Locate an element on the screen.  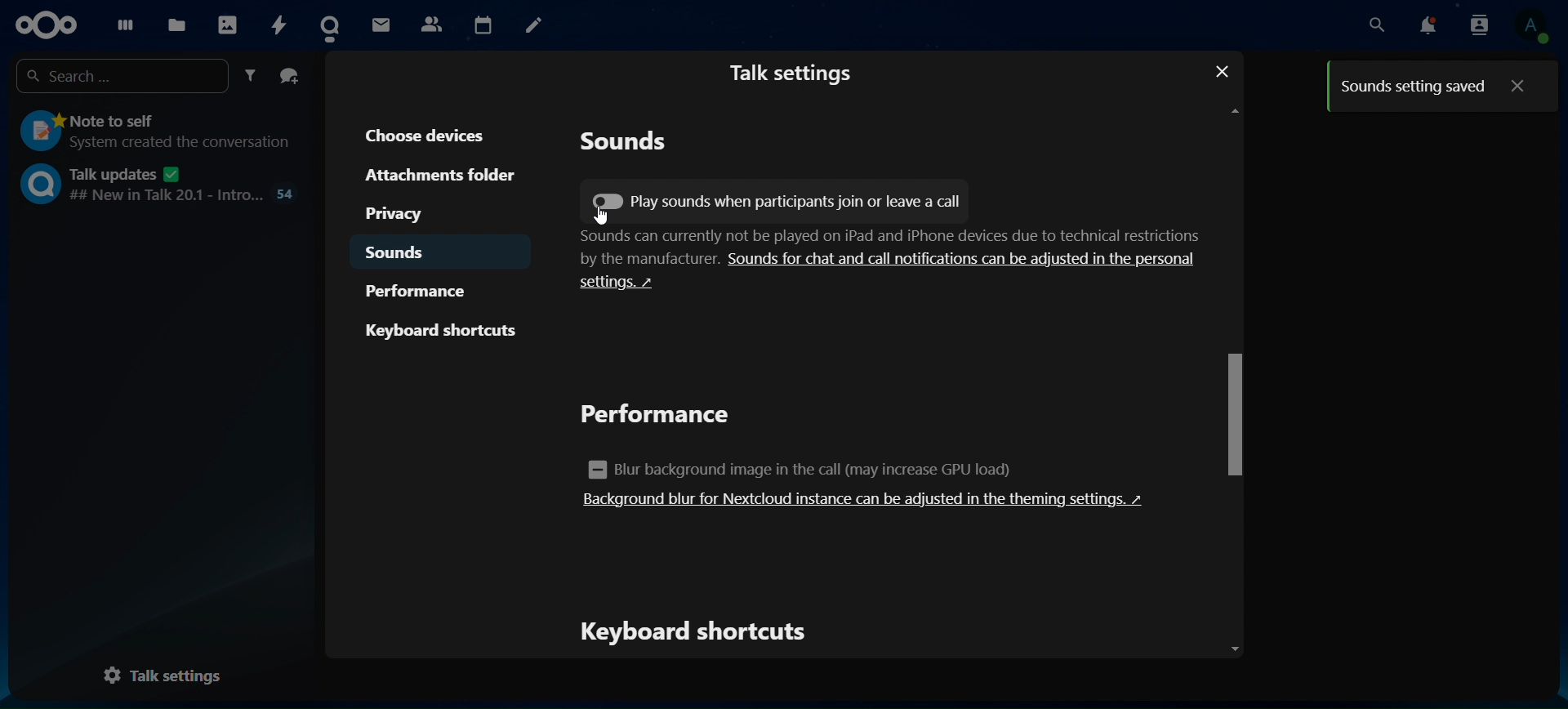
sounds is located at coordinates (403, 254).